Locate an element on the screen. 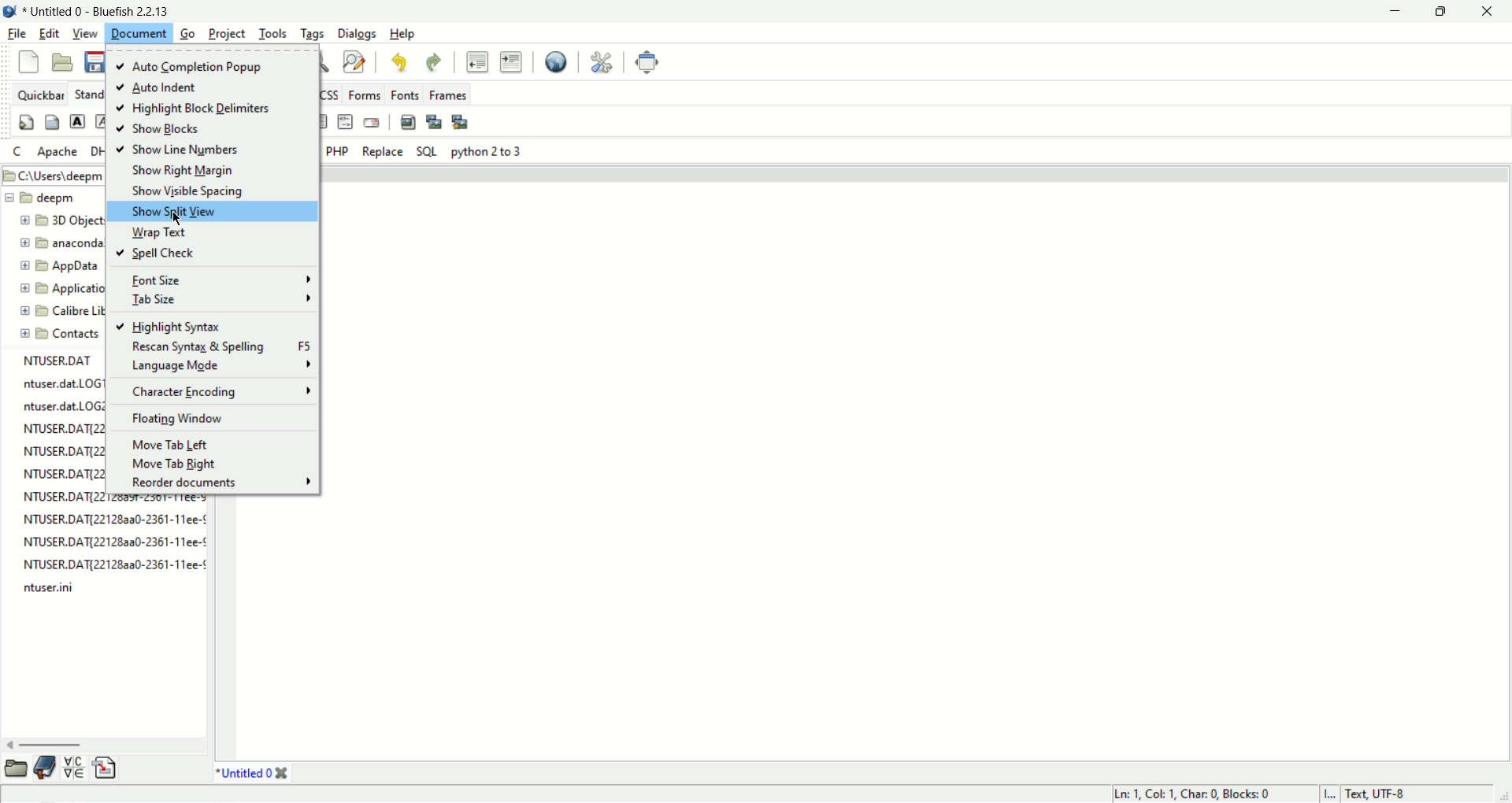  language mode is located at coordinates (218, 366).